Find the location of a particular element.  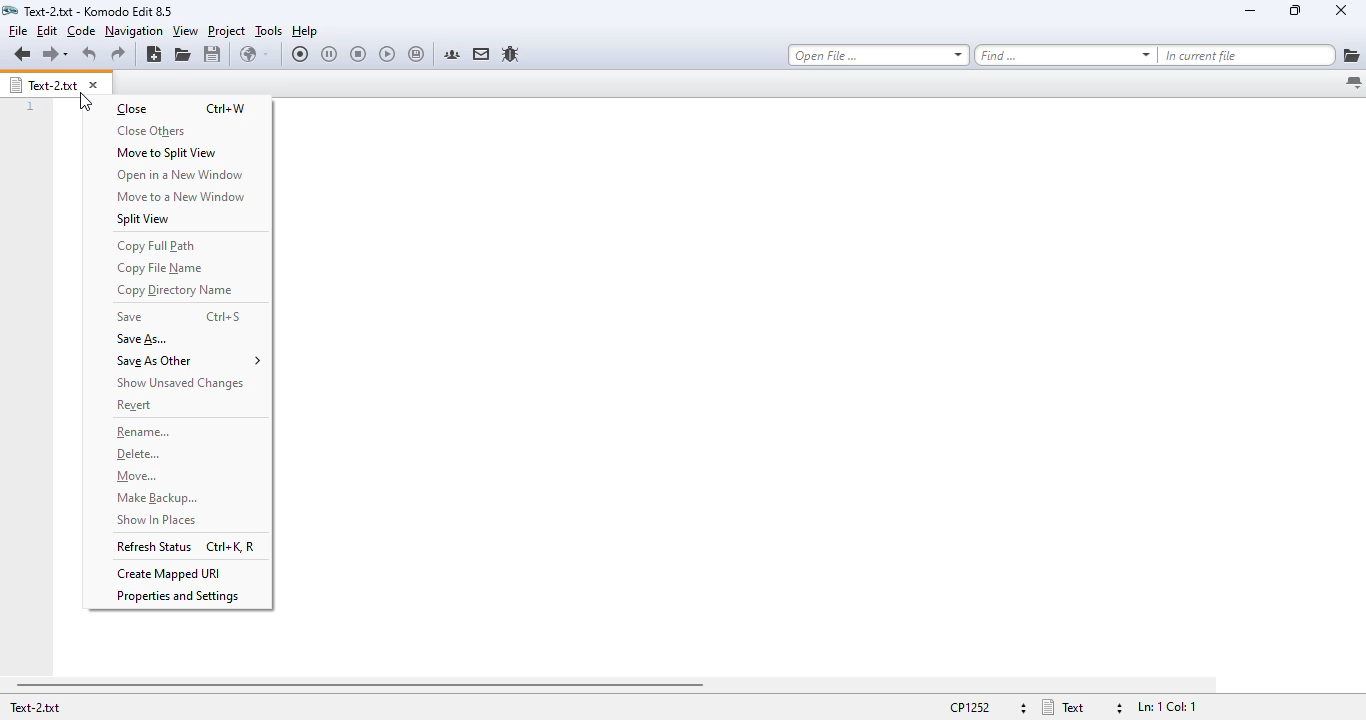

show in places is located at coordinates (157, 520).